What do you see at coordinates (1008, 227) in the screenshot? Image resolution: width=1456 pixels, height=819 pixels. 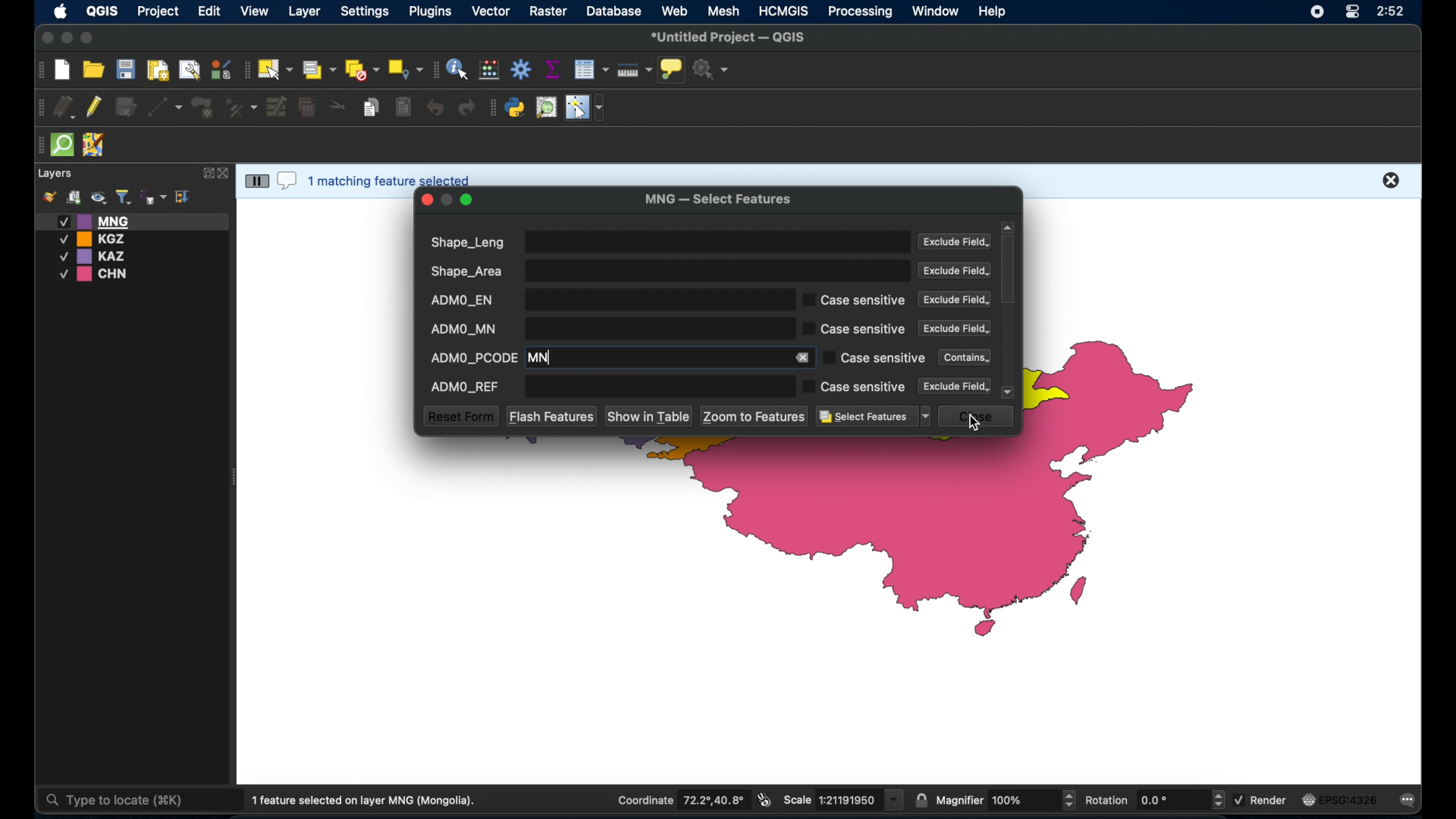 I see `scroll up arrow` at bounding box center [1008, 227].